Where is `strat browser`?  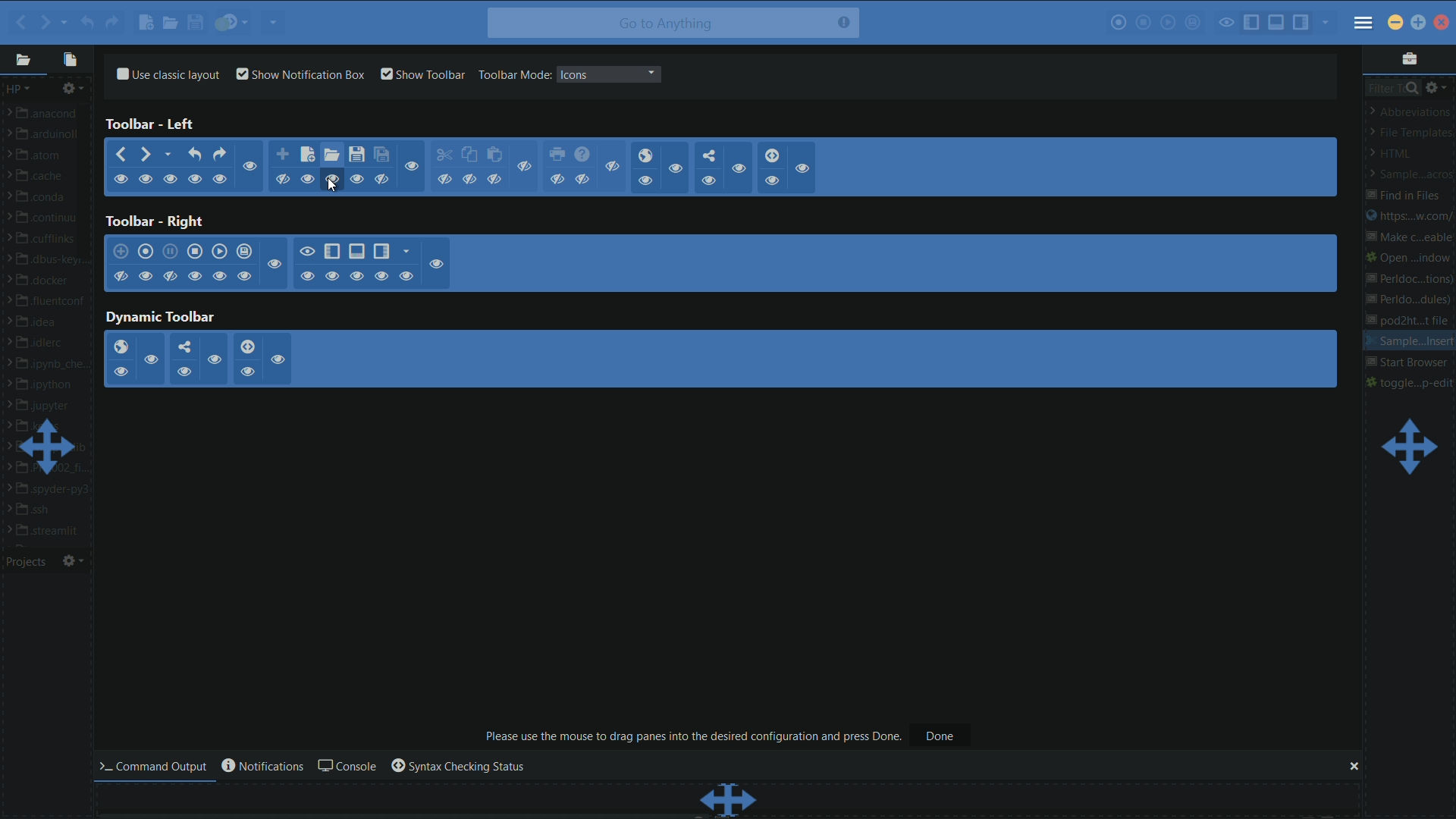
strat browser is located at coordinates (1407, 363).